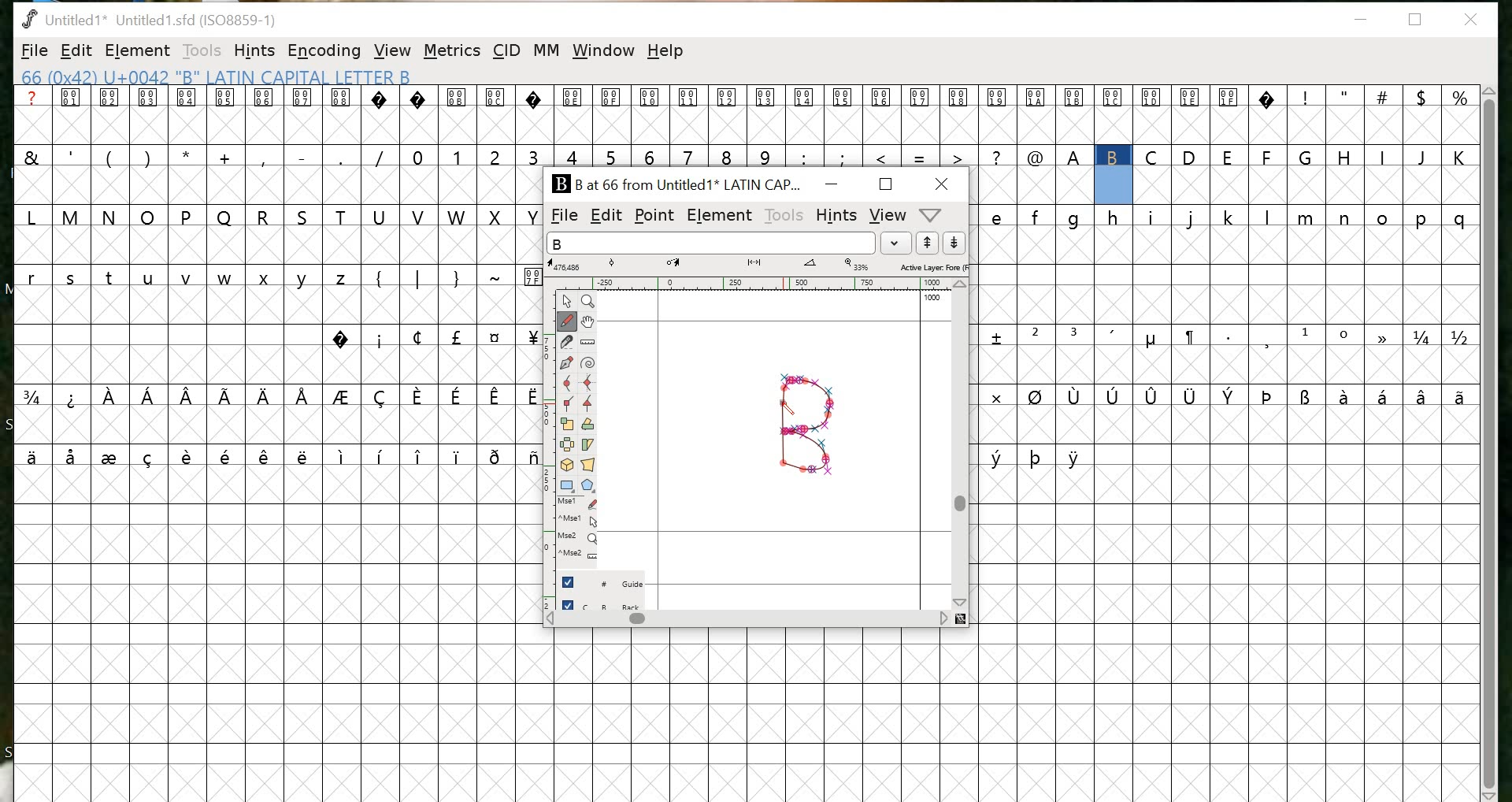  What do you see at coordinates (888, 215) in the screenshot?
I see `VIEW` at bounding box center [888, 215].